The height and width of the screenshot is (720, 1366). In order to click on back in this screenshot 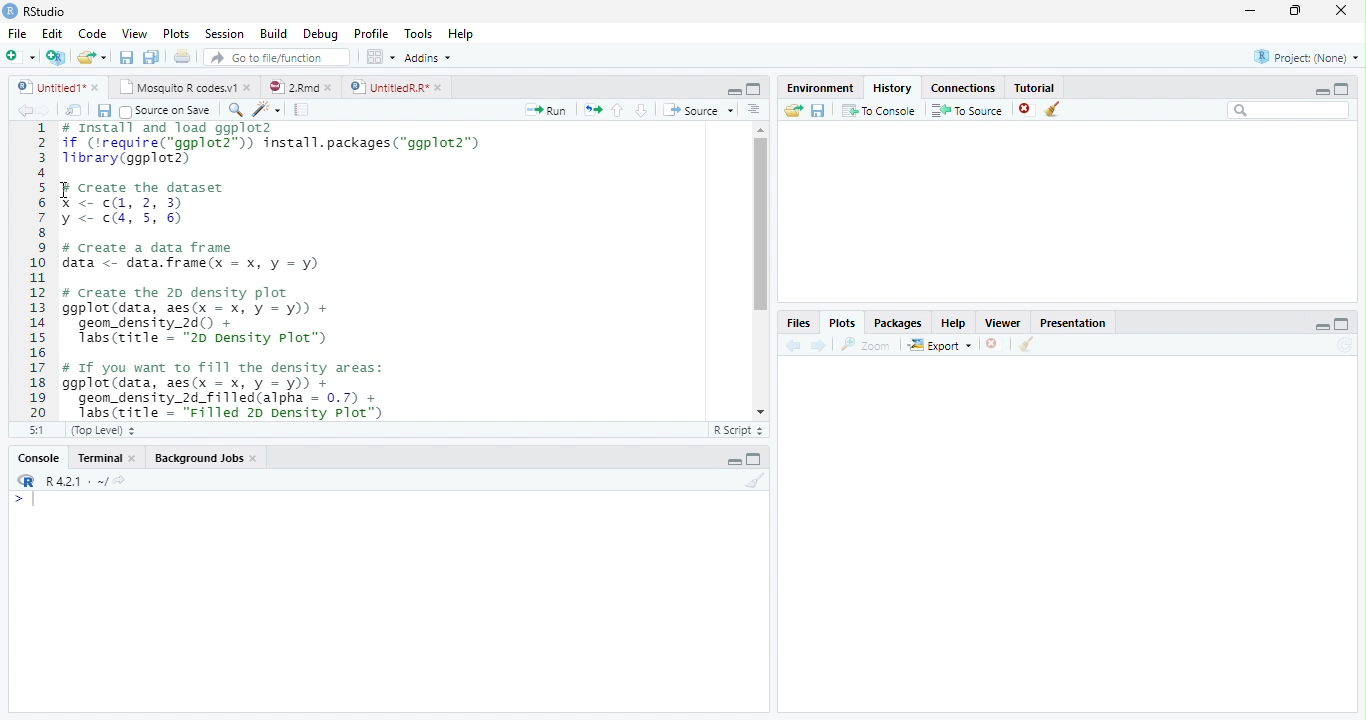, I will do `click(20, 110)`.